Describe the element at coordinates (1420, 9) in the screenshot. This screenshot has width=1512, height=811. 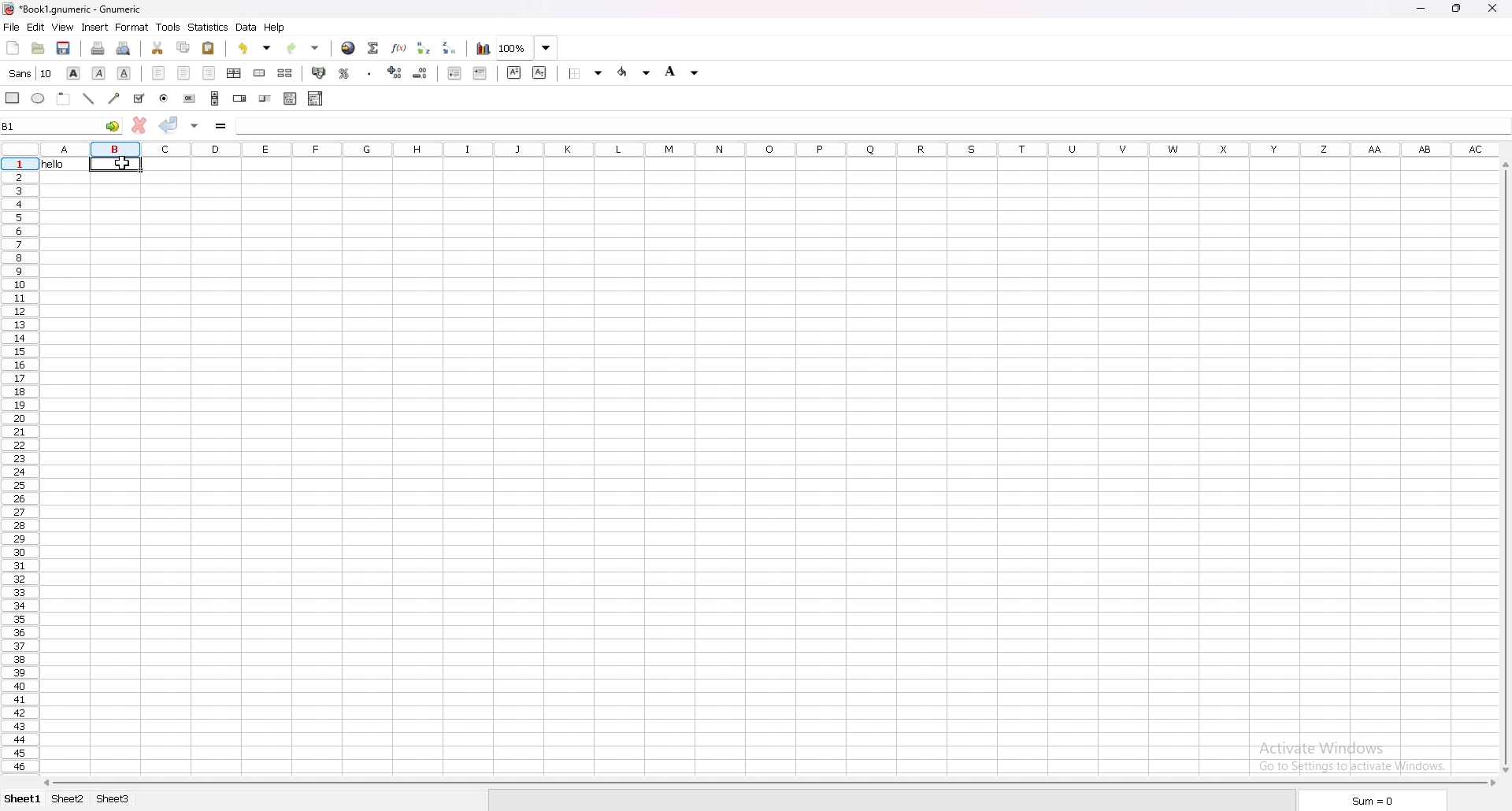
I see `minimize` at that location.